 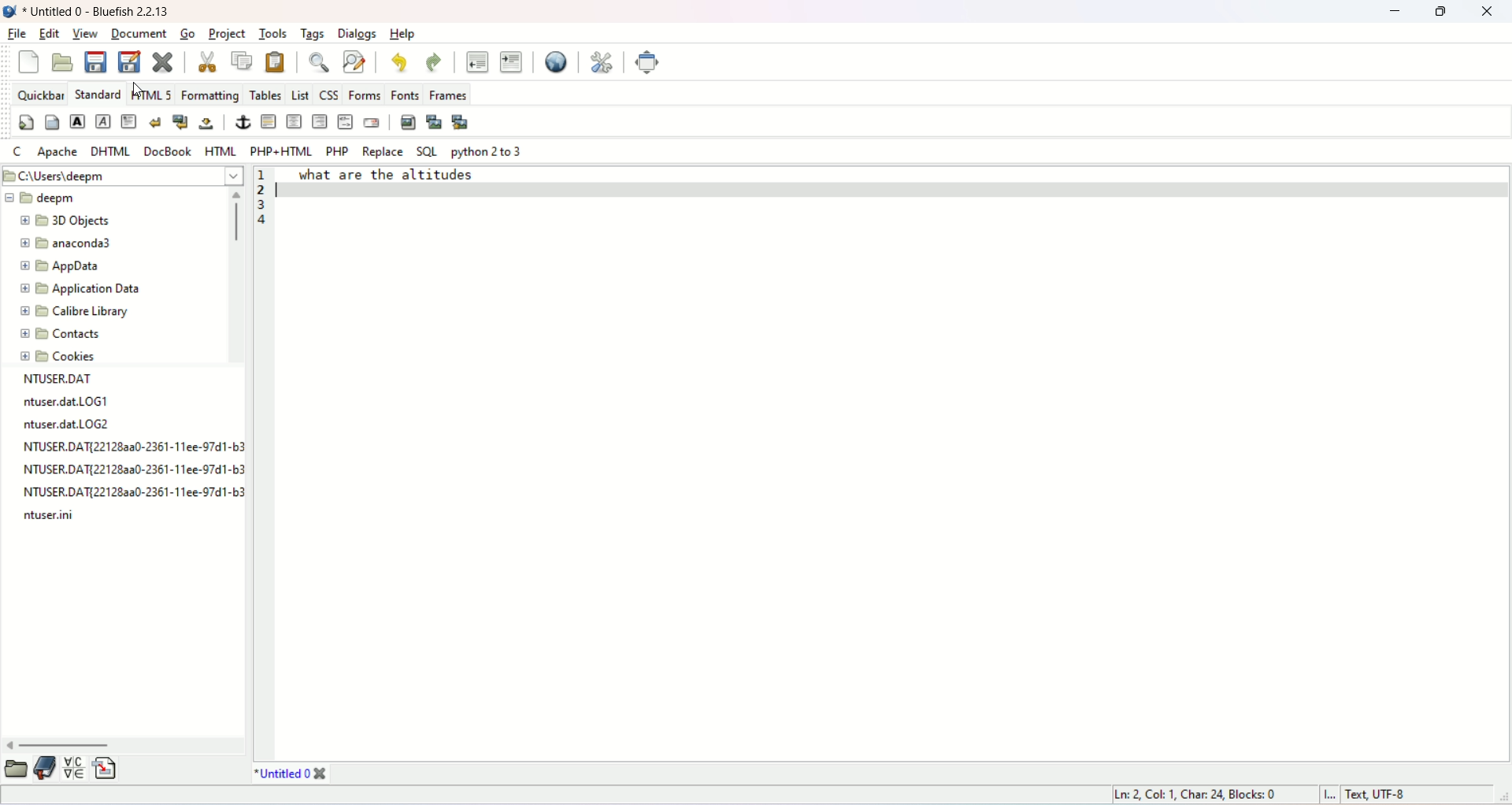 What do you see at coordinates (602, 61) in the screenshot?
I see `edit preferences` at bounding box center [602, 61].